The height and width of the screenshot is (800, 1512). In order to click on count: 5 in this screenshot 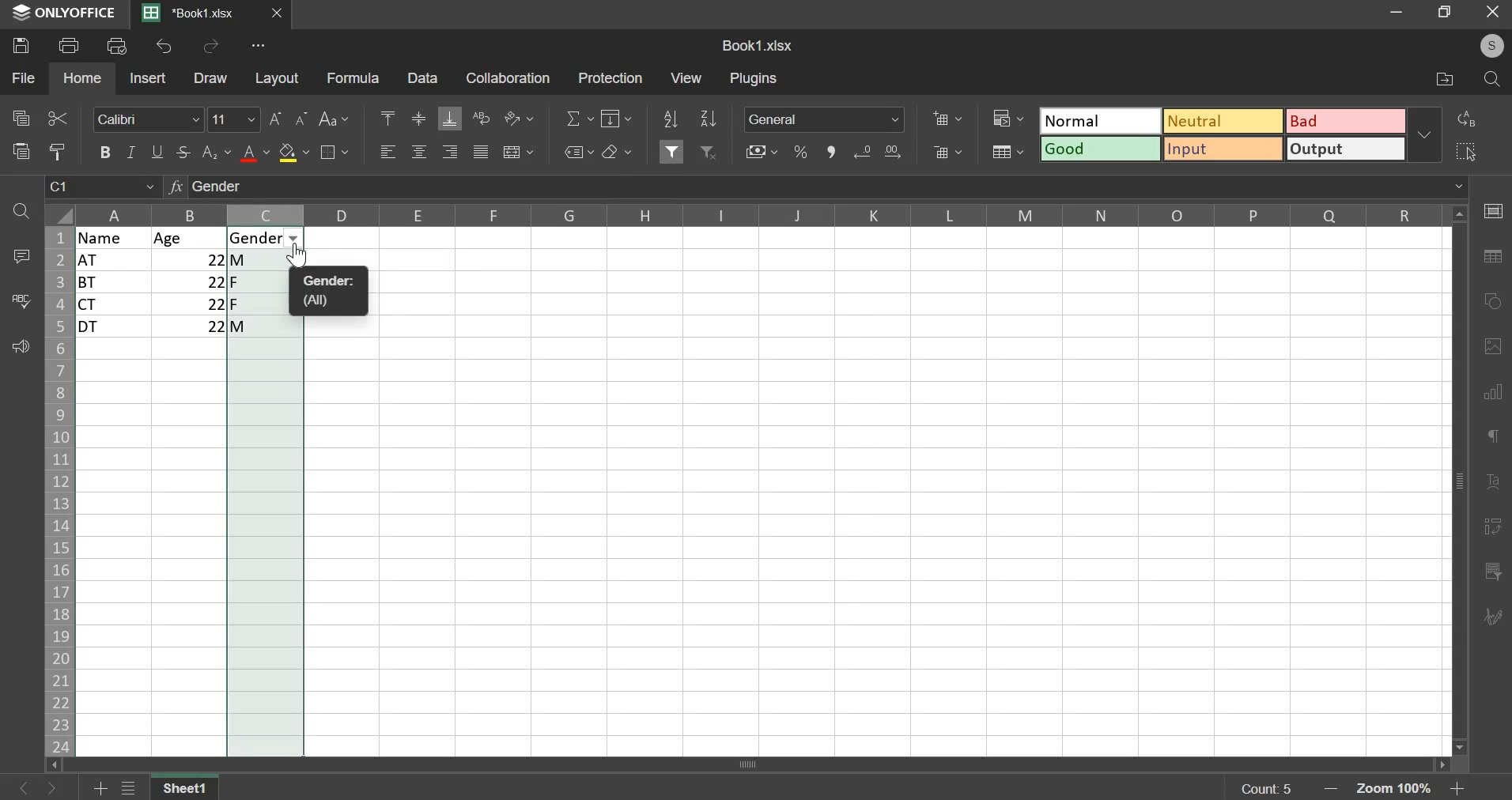, I will do `click(1264, 788)`.